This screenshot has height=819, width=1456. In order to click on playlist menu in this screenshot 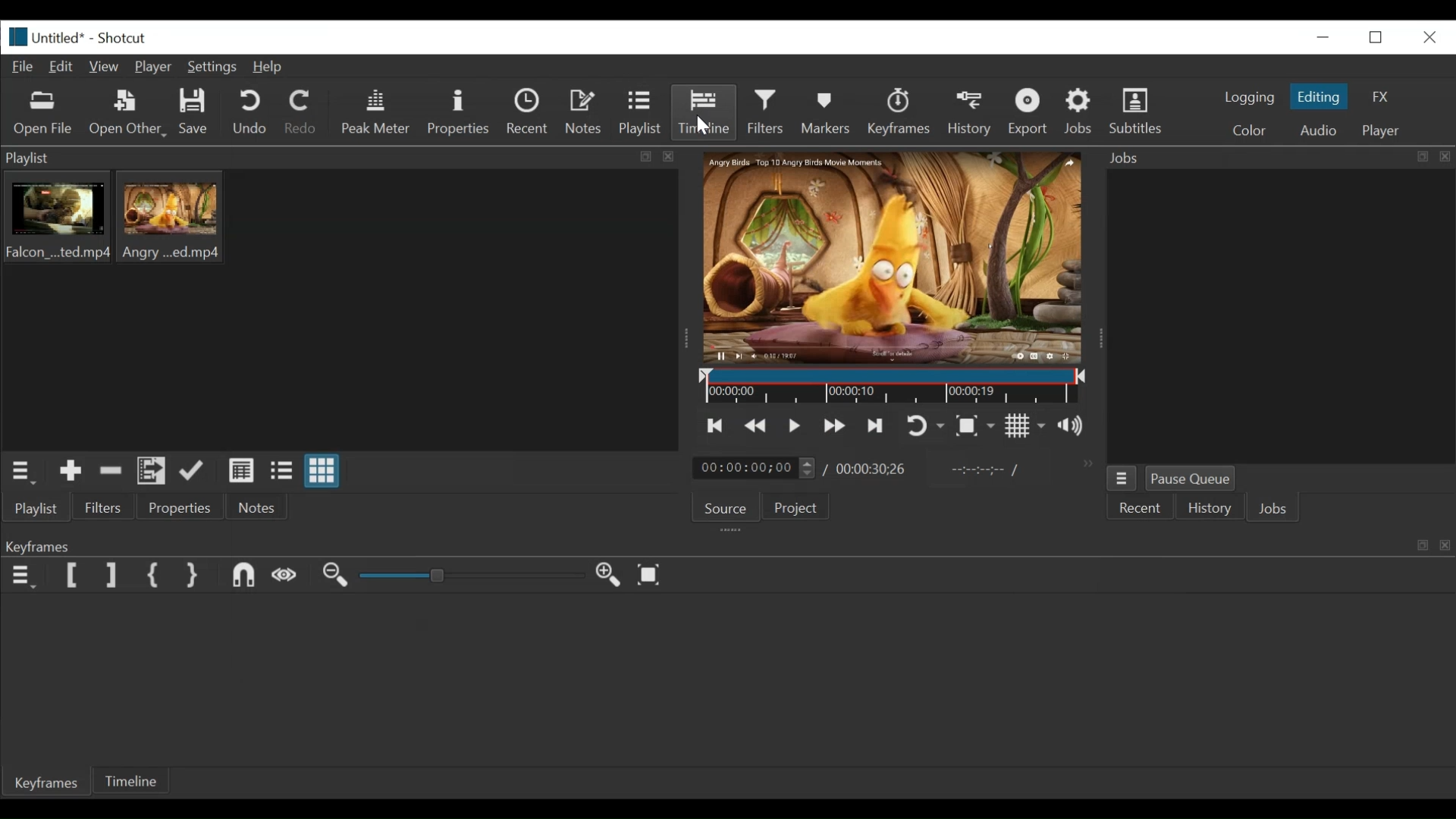, I will do `click(24, 470)`.